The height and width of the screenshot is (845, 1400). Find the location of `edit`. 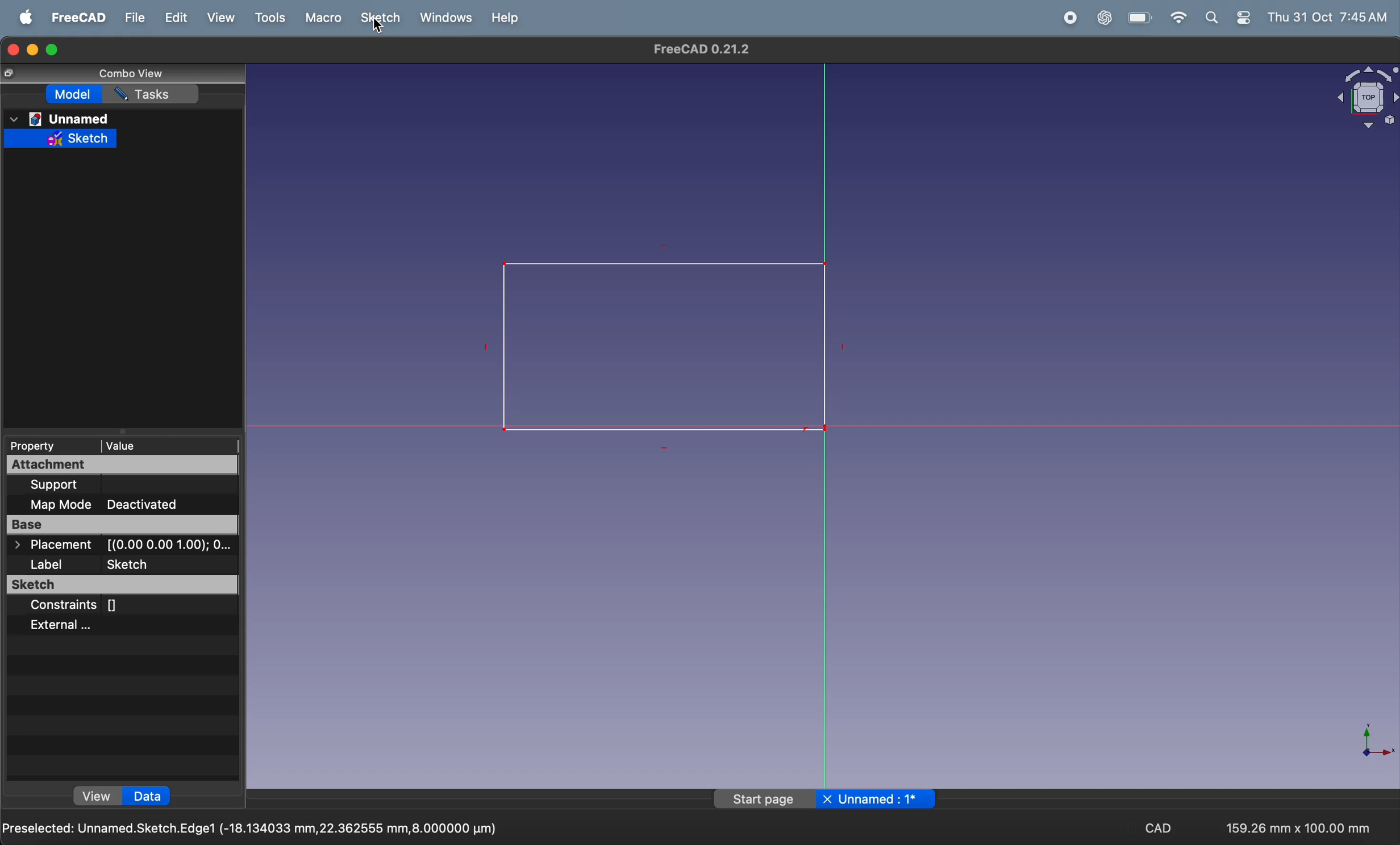

edit is located at coordinates (171, 19).